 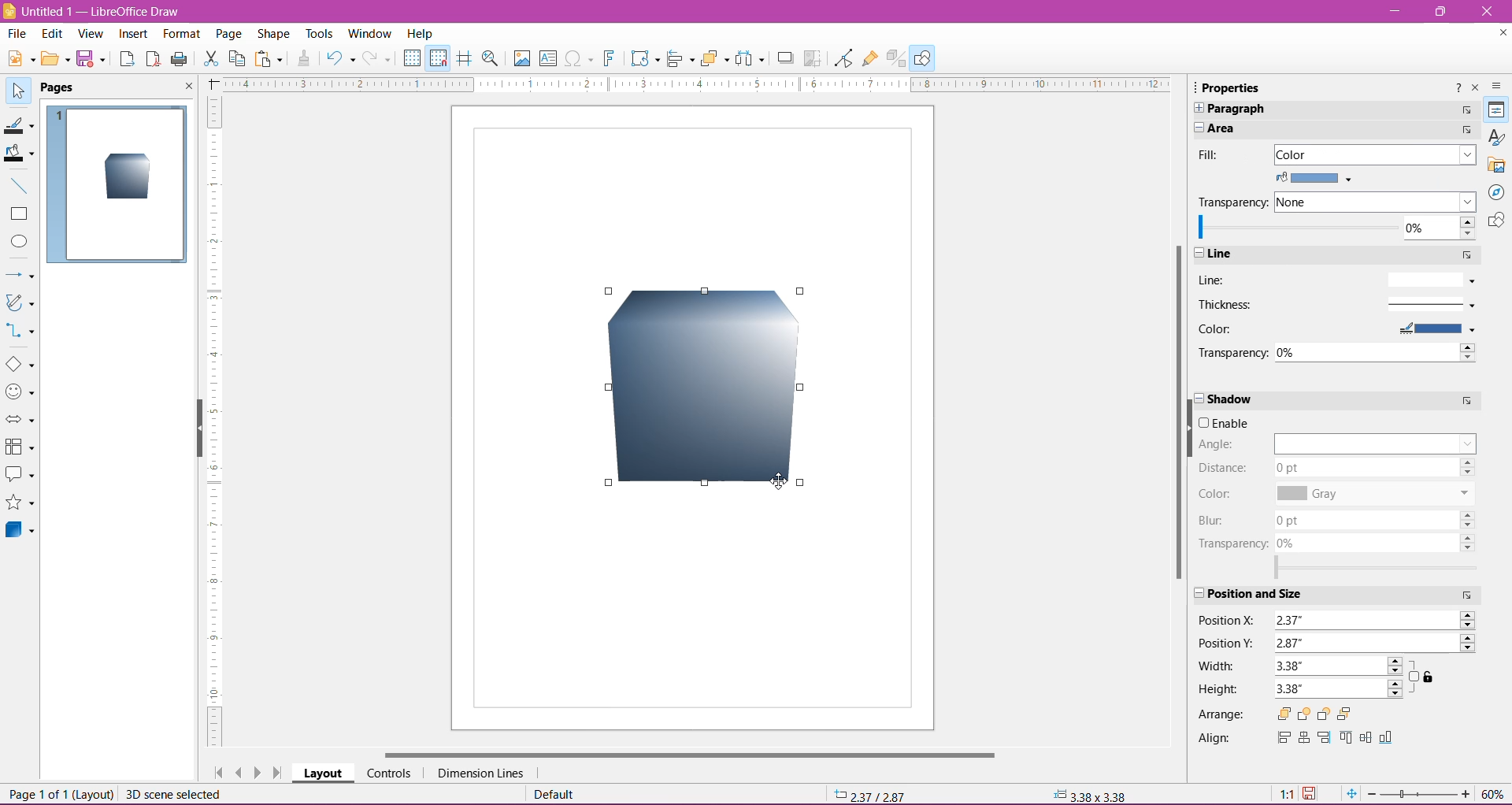 What do you see at coordinates (1376, 542) in the screenshot?
I see `Set shadow transparency` at bounding box center [1376, 542].